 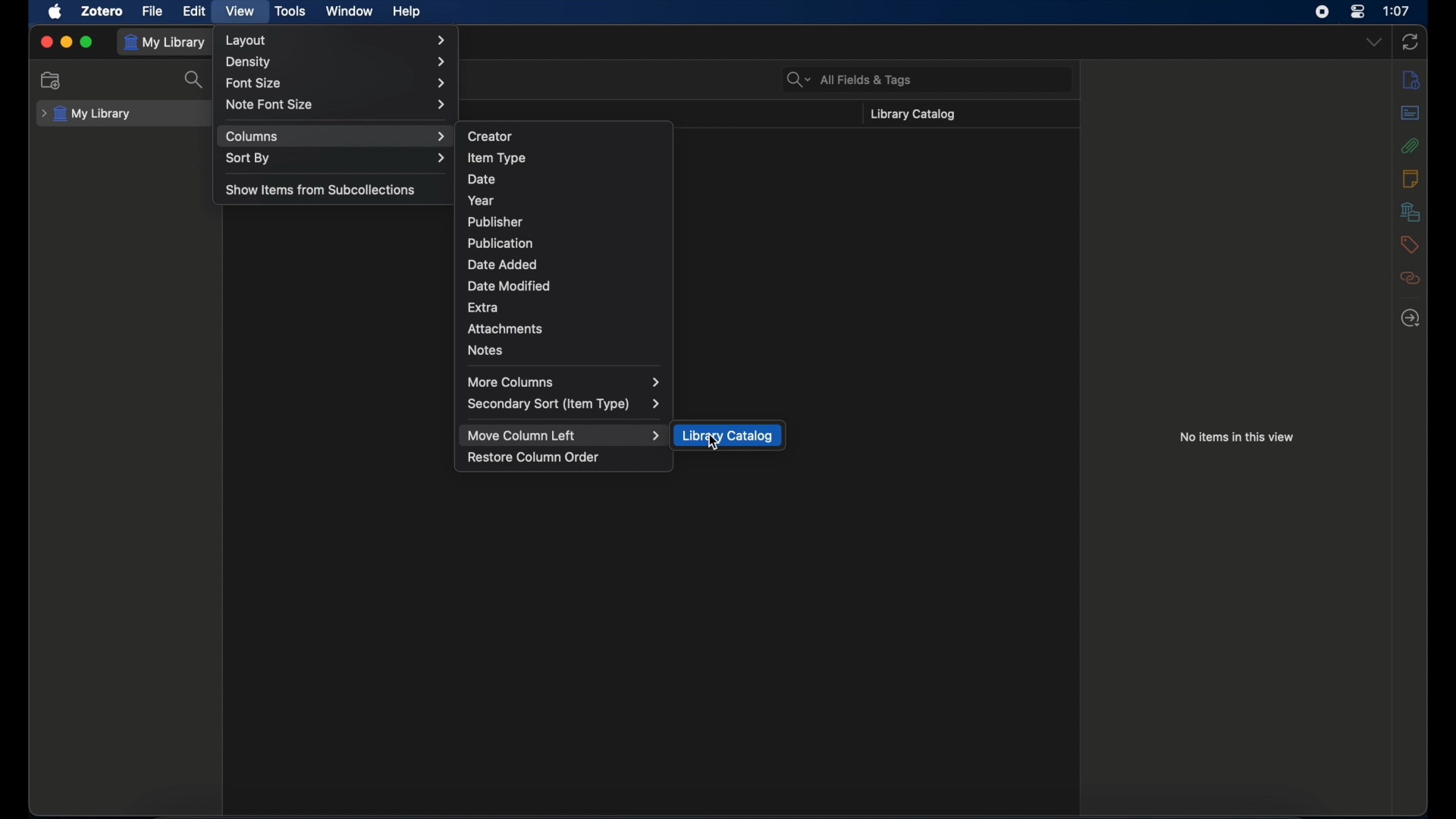 I want to click on minimize, so click(x=65, y=42).